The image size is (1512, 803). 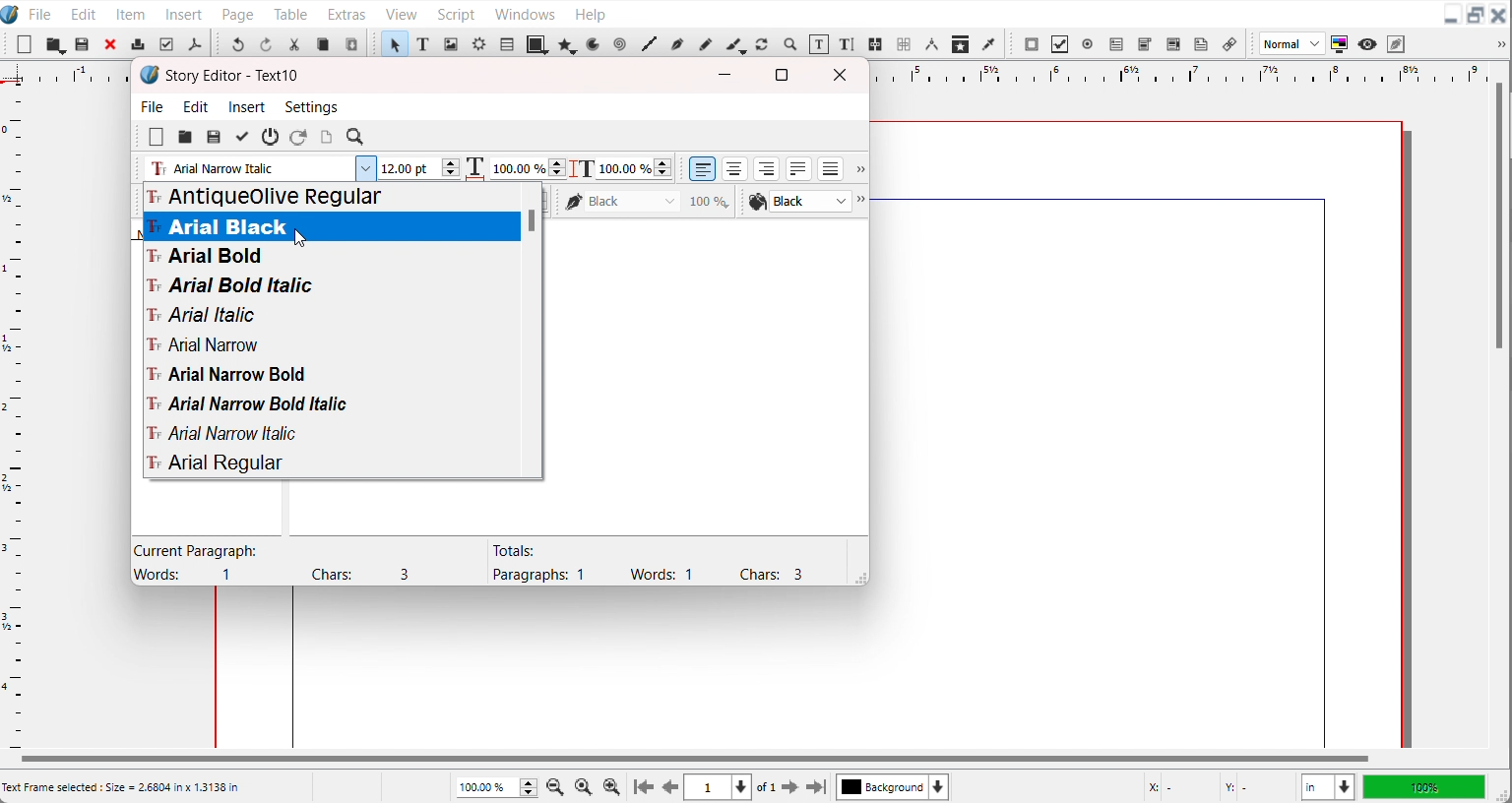 I want to click on Freehand line, so click(x=704, y=43).